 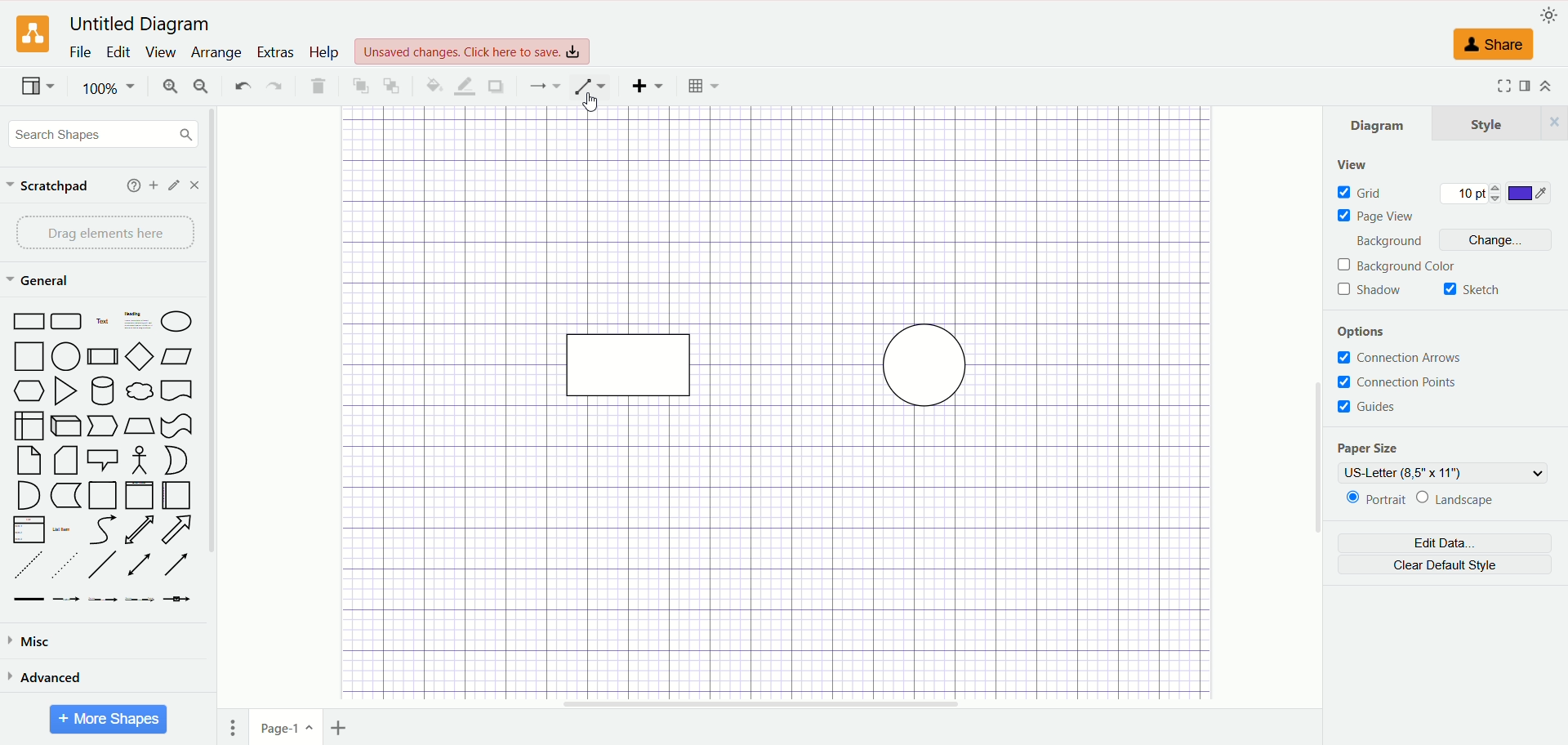 I want to click on Irregular Flag, so click(x=177, y=426).